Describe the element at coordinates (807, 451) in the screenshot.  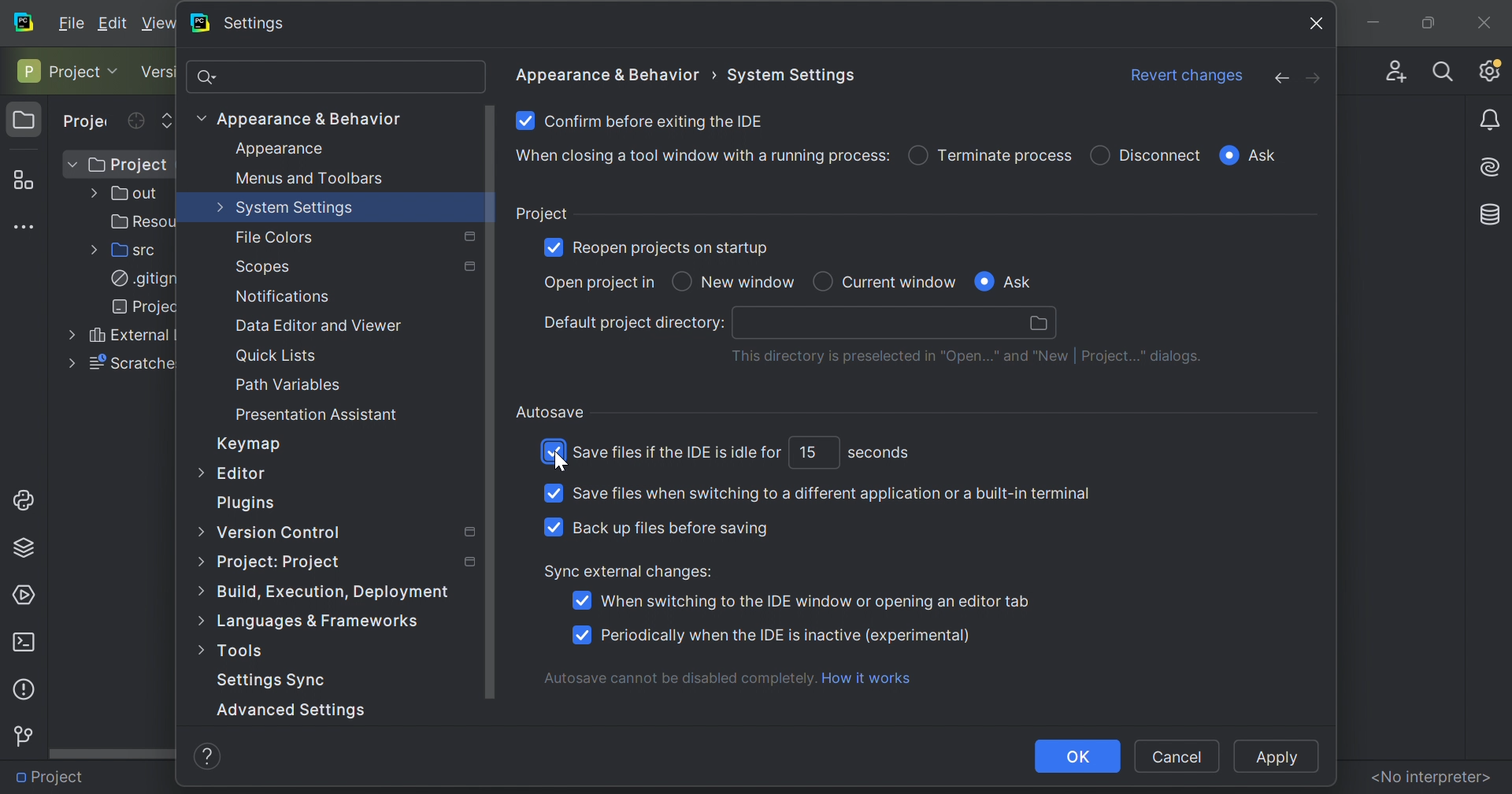
I see `15` at that location.